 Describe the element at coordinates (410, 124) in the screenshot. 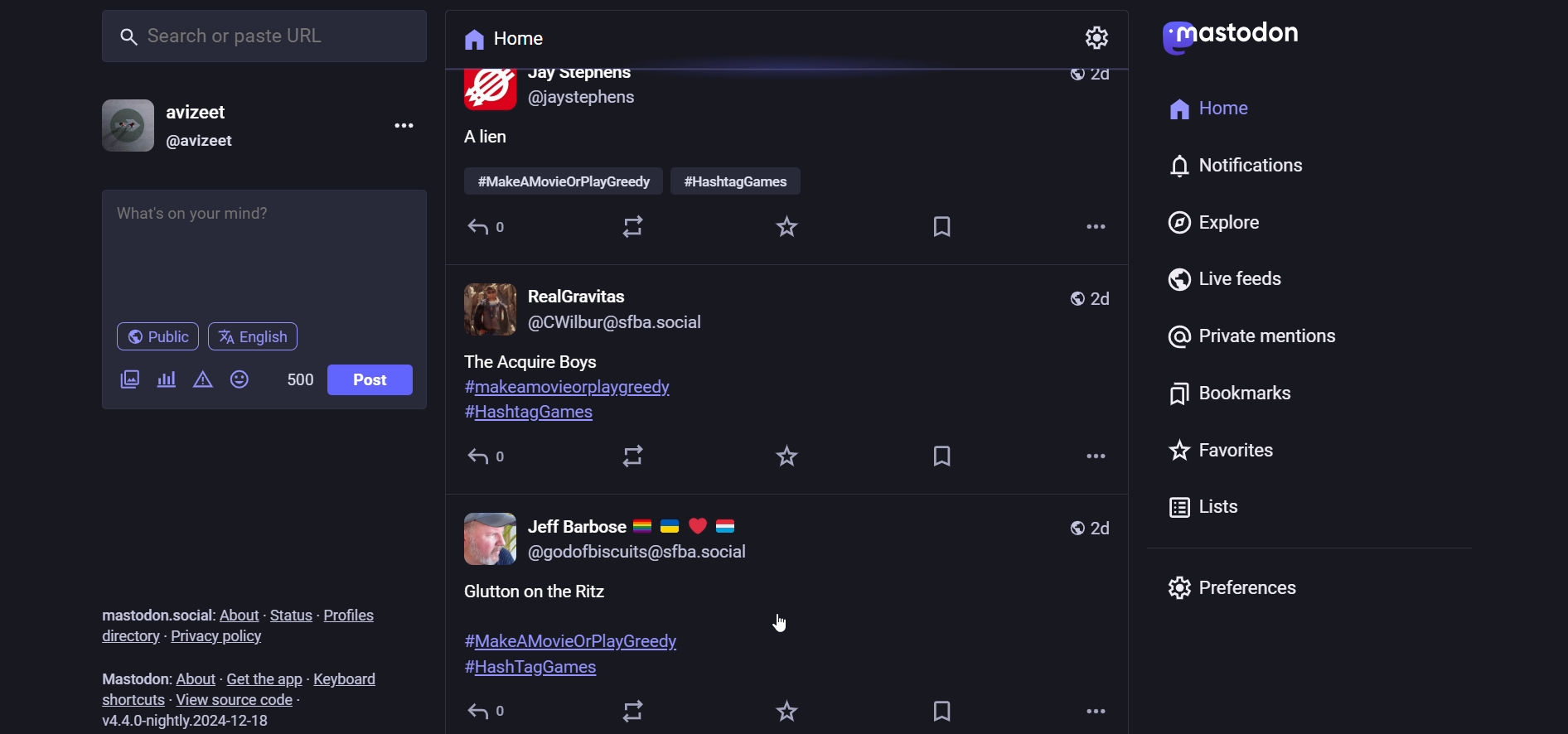

I see `more` at that location.